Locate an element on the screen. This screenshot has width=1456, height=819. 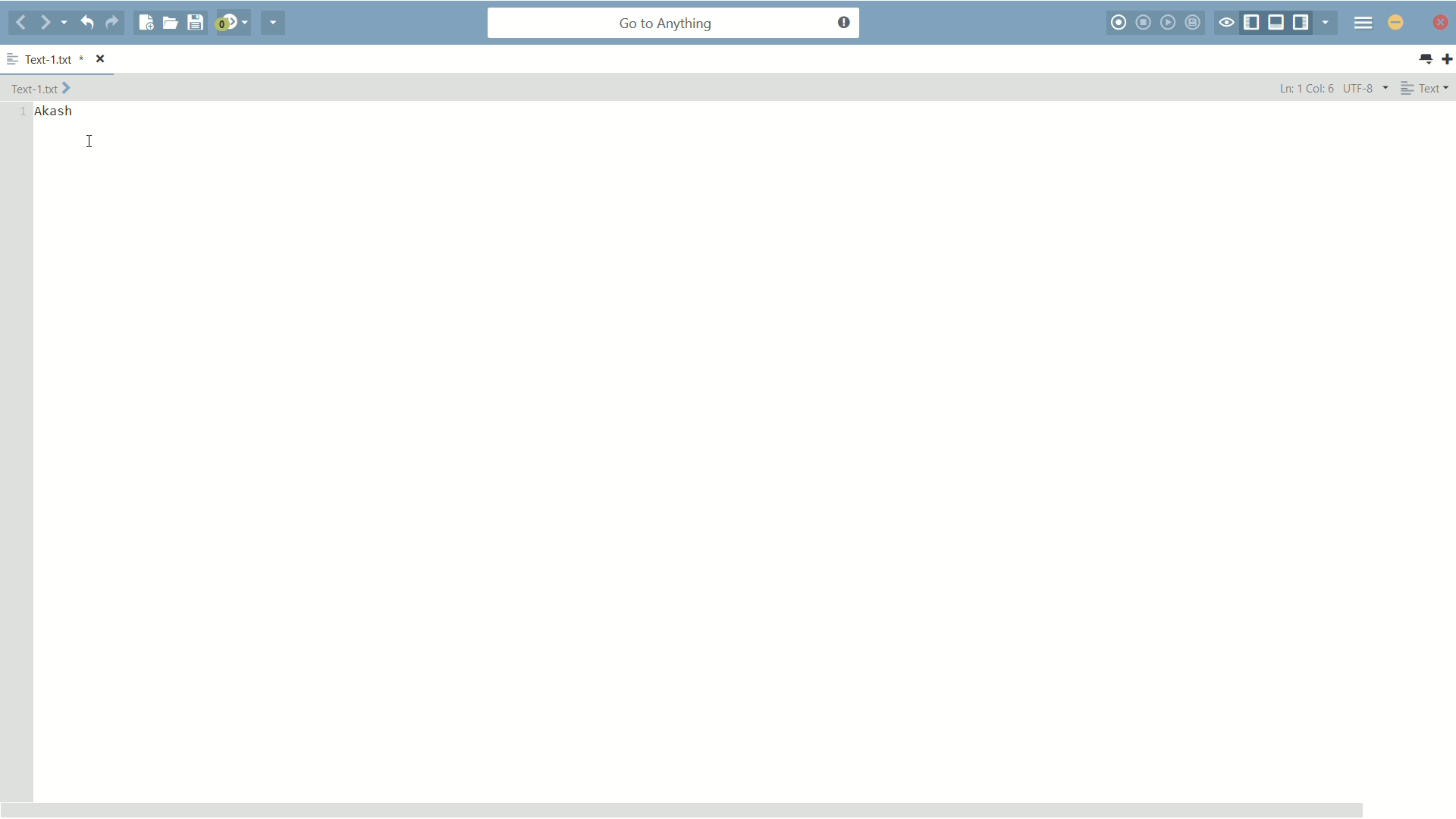
line number is located at coordinates (22, 111).